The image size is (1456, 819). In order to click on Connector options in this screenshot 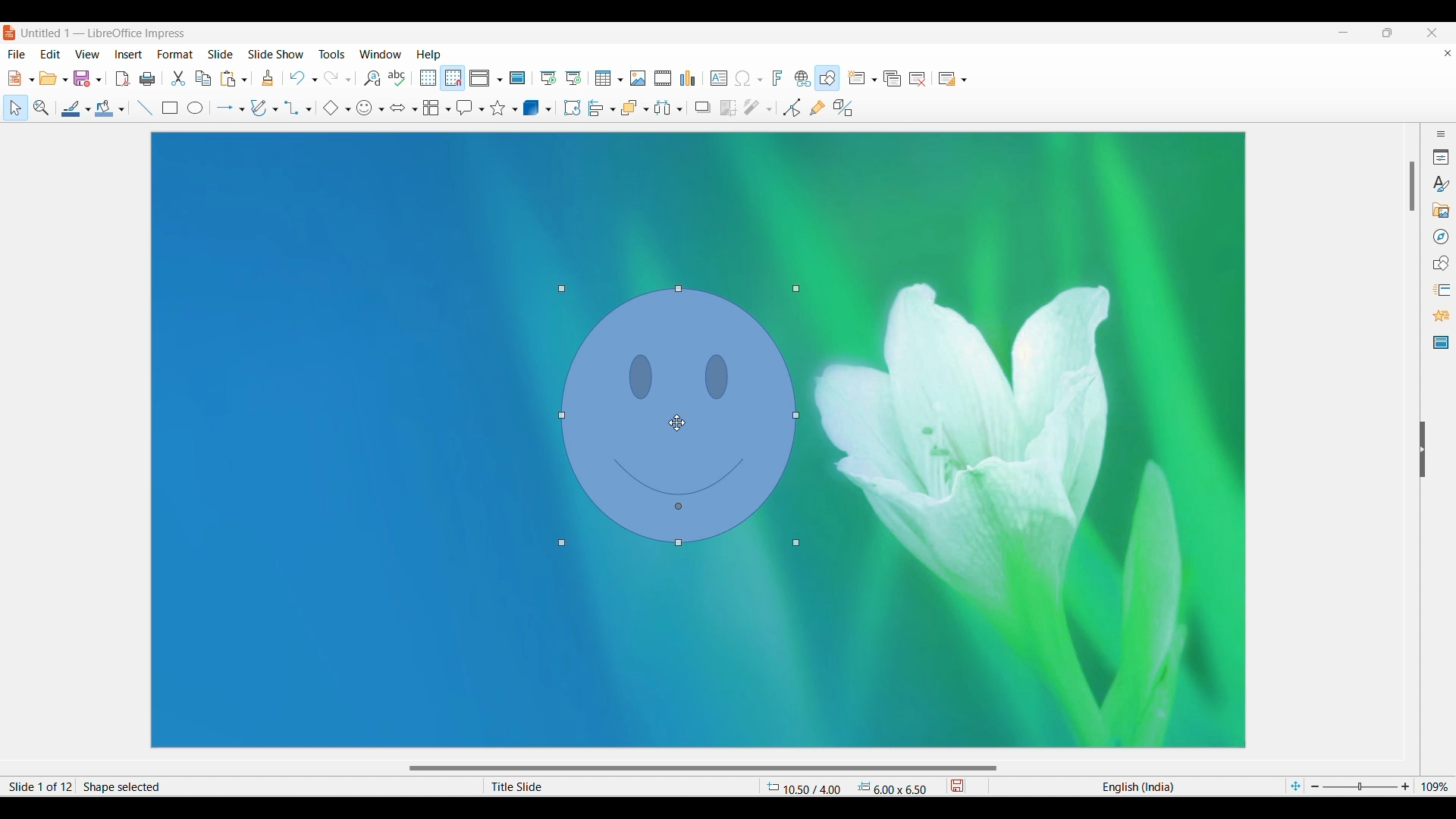, I will do `click(309, 110)`.